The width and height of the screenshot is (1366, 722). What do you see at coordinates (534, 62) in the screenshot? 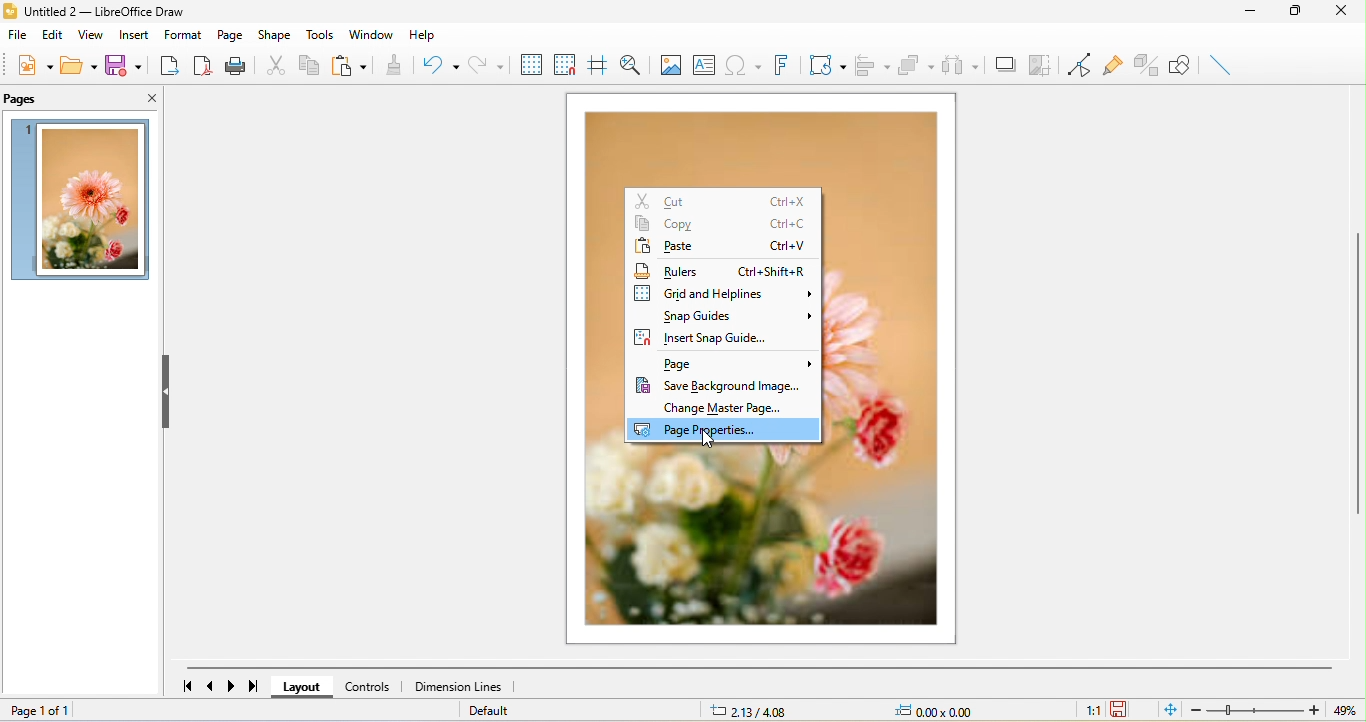
I see `display to grid` at bounding box center [534, 62].